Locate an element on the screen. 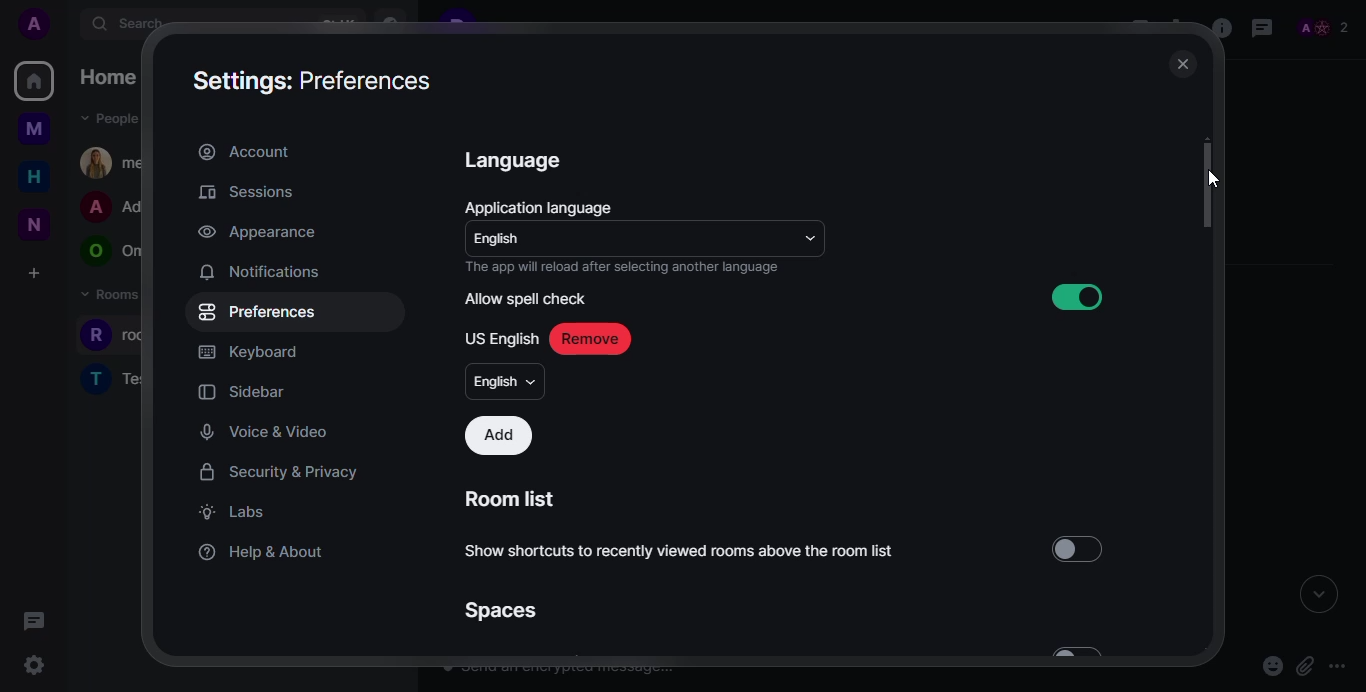 The height and width of the screenshot is (692, 1366). home is located at coordinates (35, 81).